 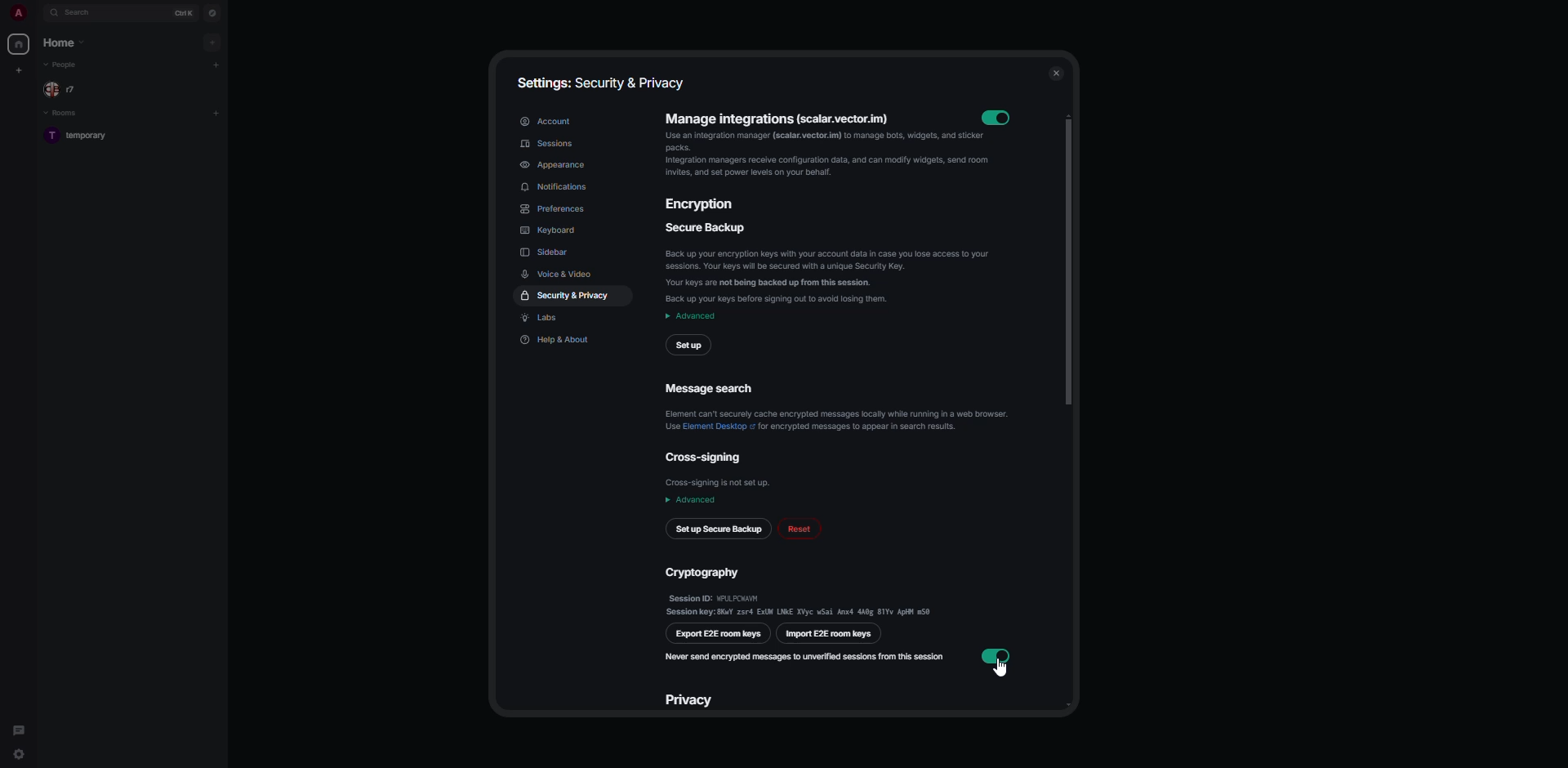 What do you see at coordinates (79, 13) in the screenshot?
I see `search` at bounding box center [79, 13].